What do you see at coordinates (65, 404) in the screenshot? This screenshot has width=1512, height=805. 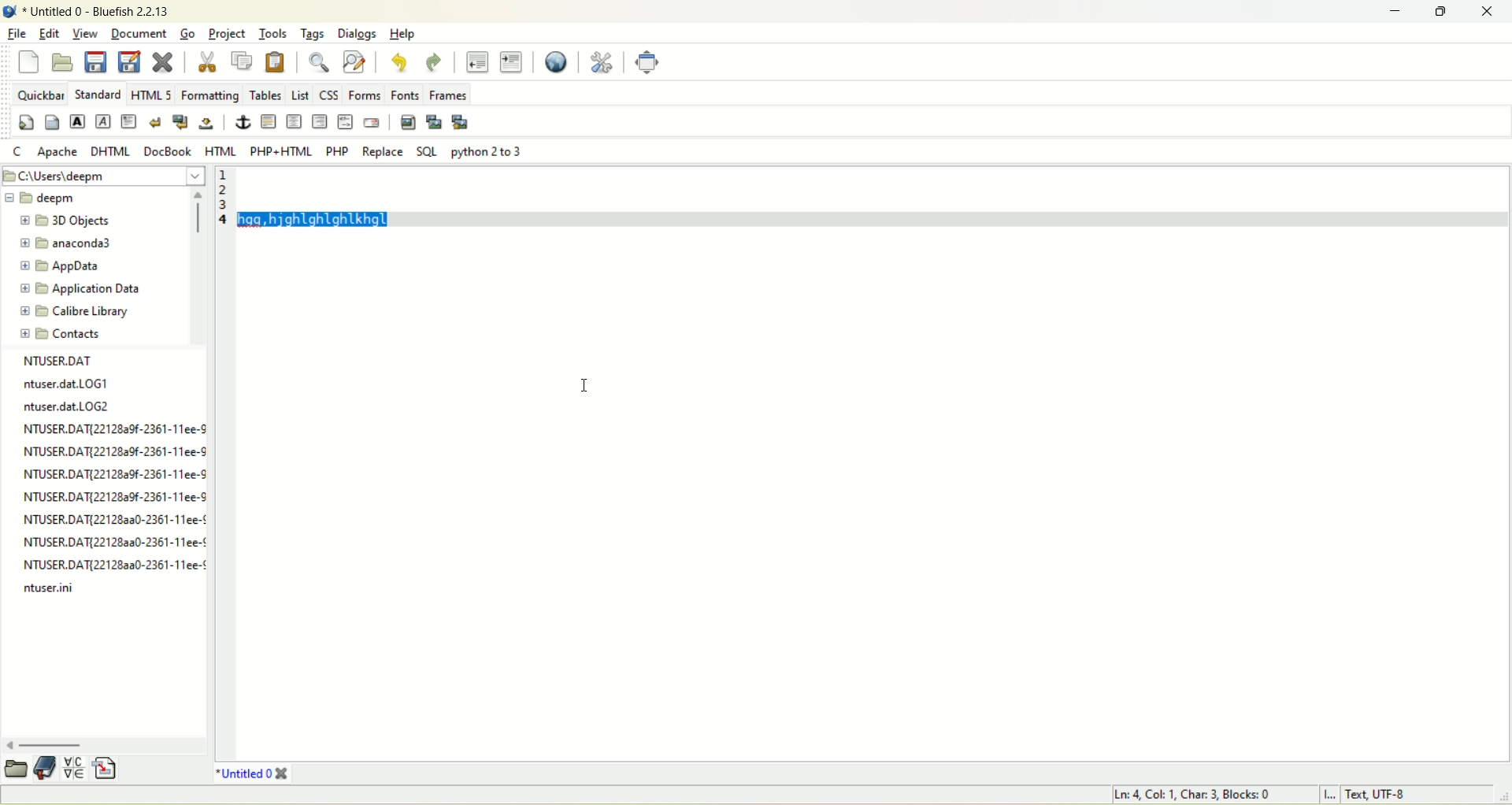 I see `ntuser.dat.LOG2` at bounding box center [65, 404].